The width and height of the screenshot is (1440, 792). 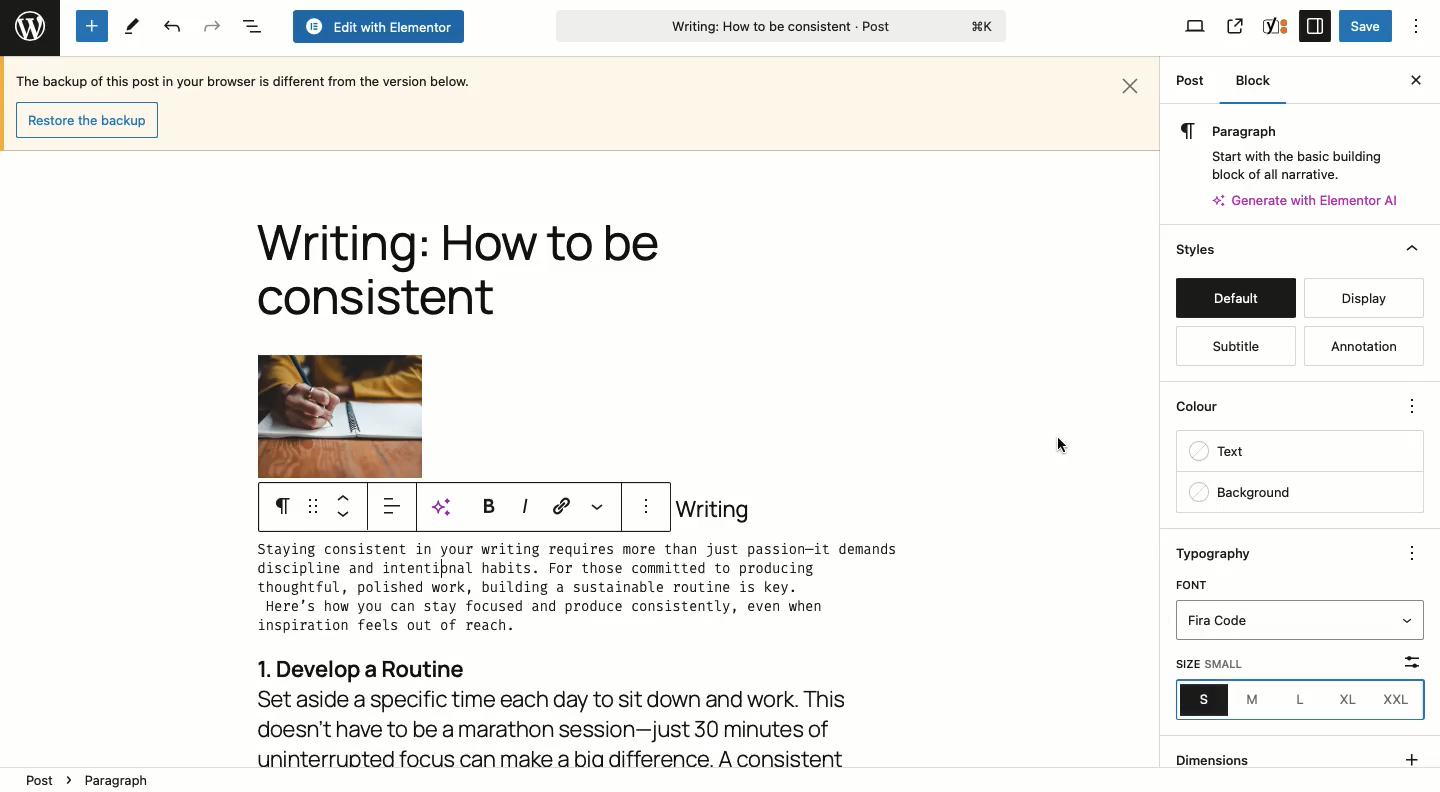 I want to click on Wordpress logo, so click(x=28, y=23).